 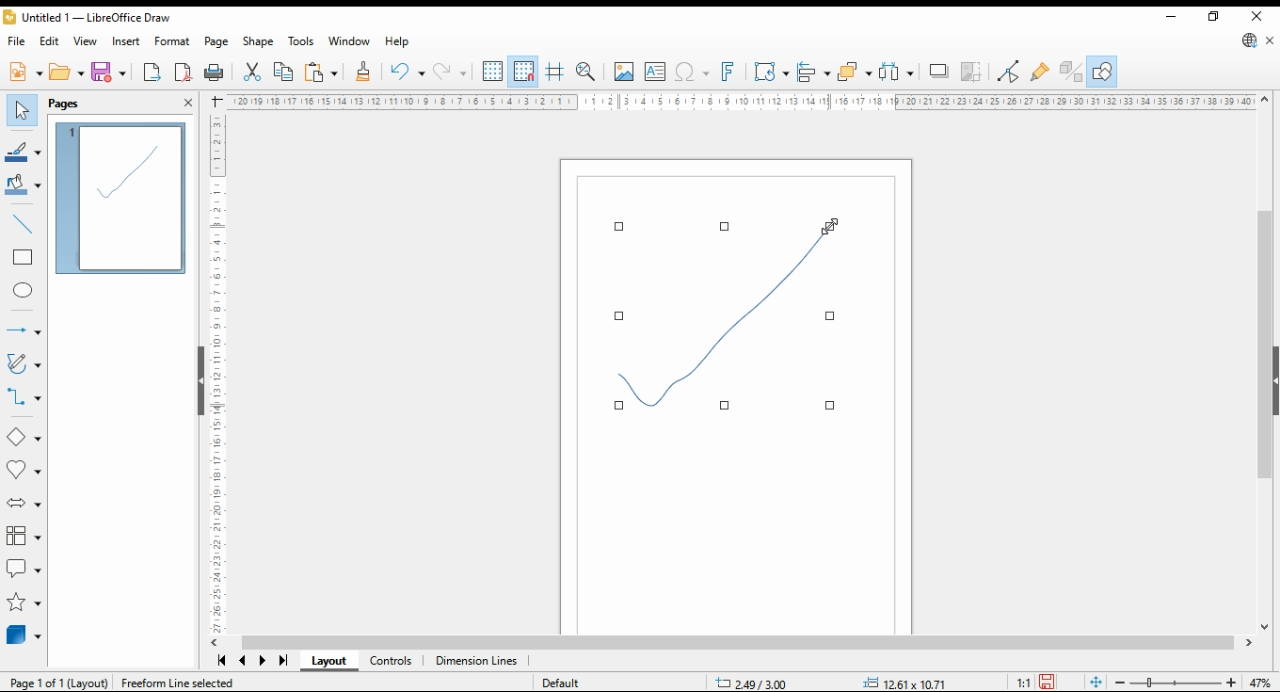 I want to click on zoom slider, so click(x=1174, y=682).